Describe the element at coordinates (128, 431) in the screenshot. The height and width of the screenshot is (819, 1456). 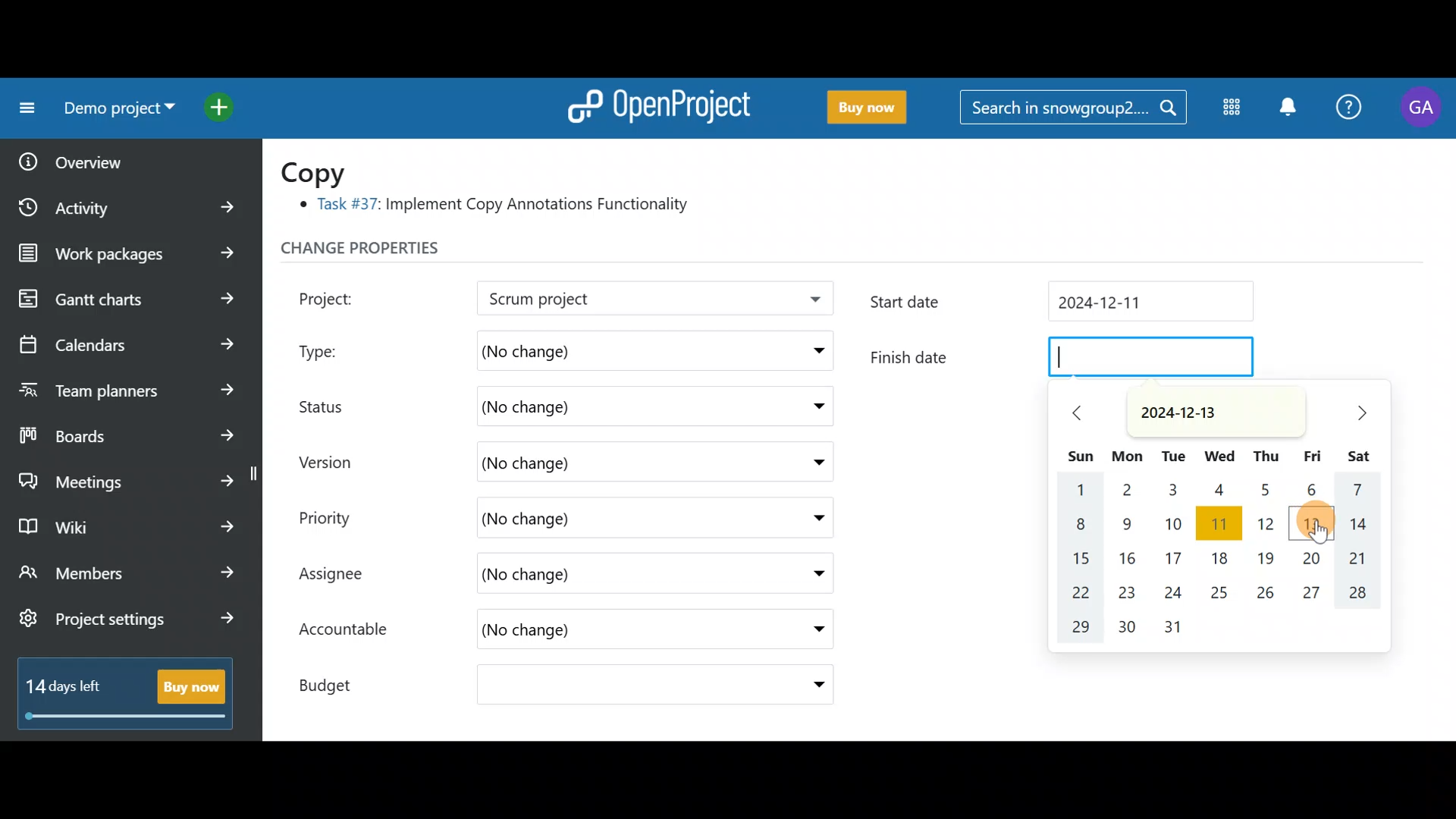
I see `Boards` at that location.